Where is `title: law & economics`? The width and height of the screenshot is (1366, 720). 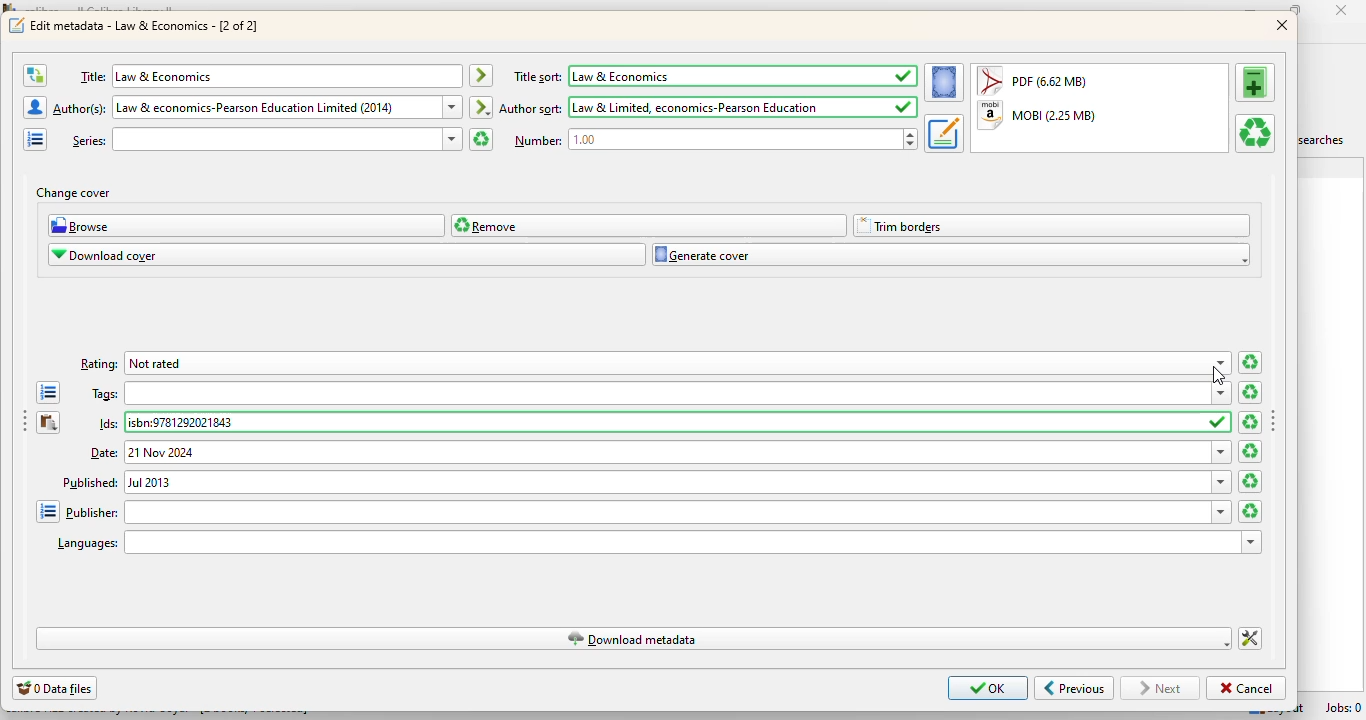 title: law & economics is located at coordinates (266, 76).